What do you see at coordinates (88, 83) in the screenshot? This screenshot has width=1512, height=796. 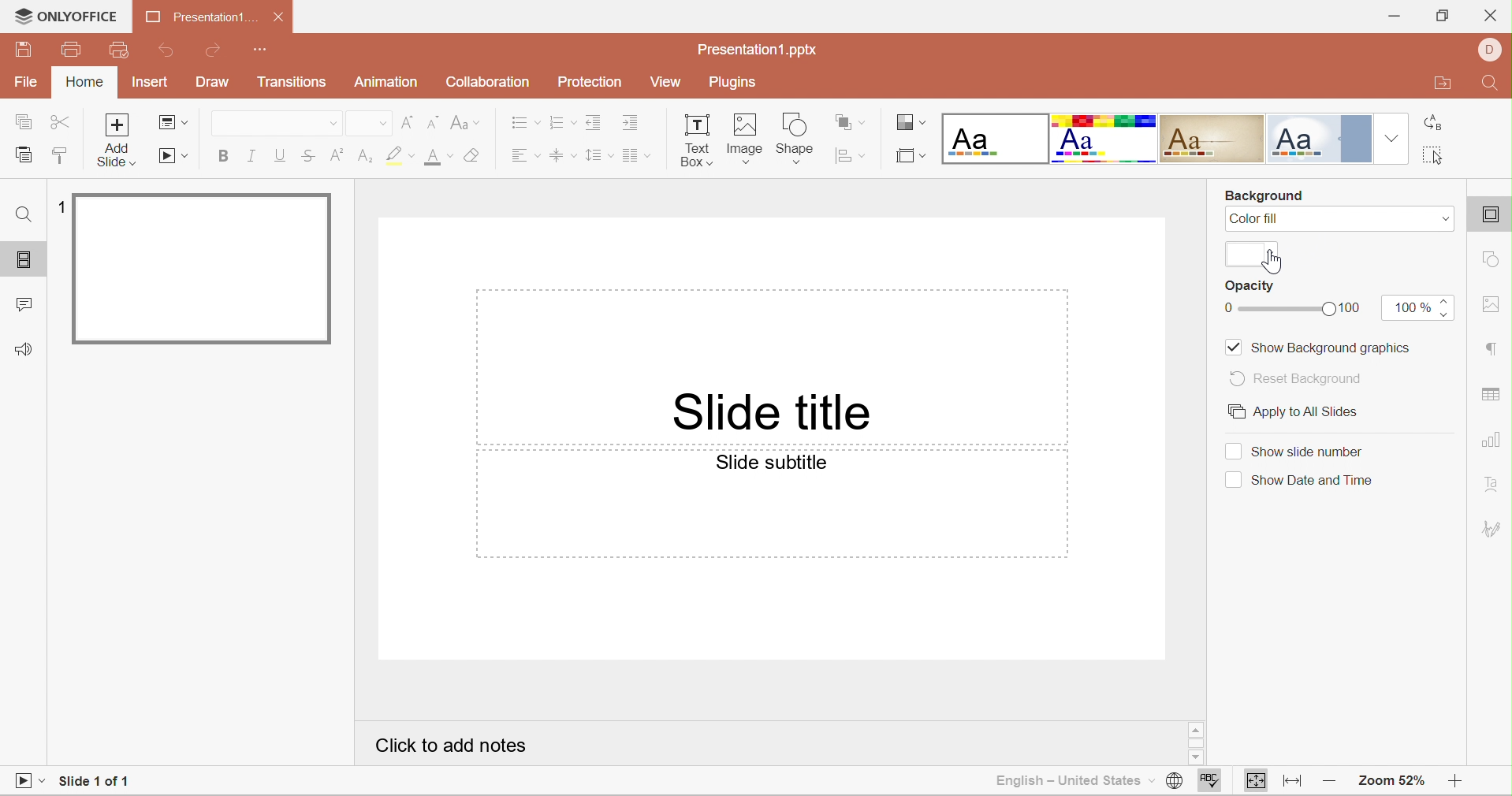 I see `Home` at bounding box center [88, 83].